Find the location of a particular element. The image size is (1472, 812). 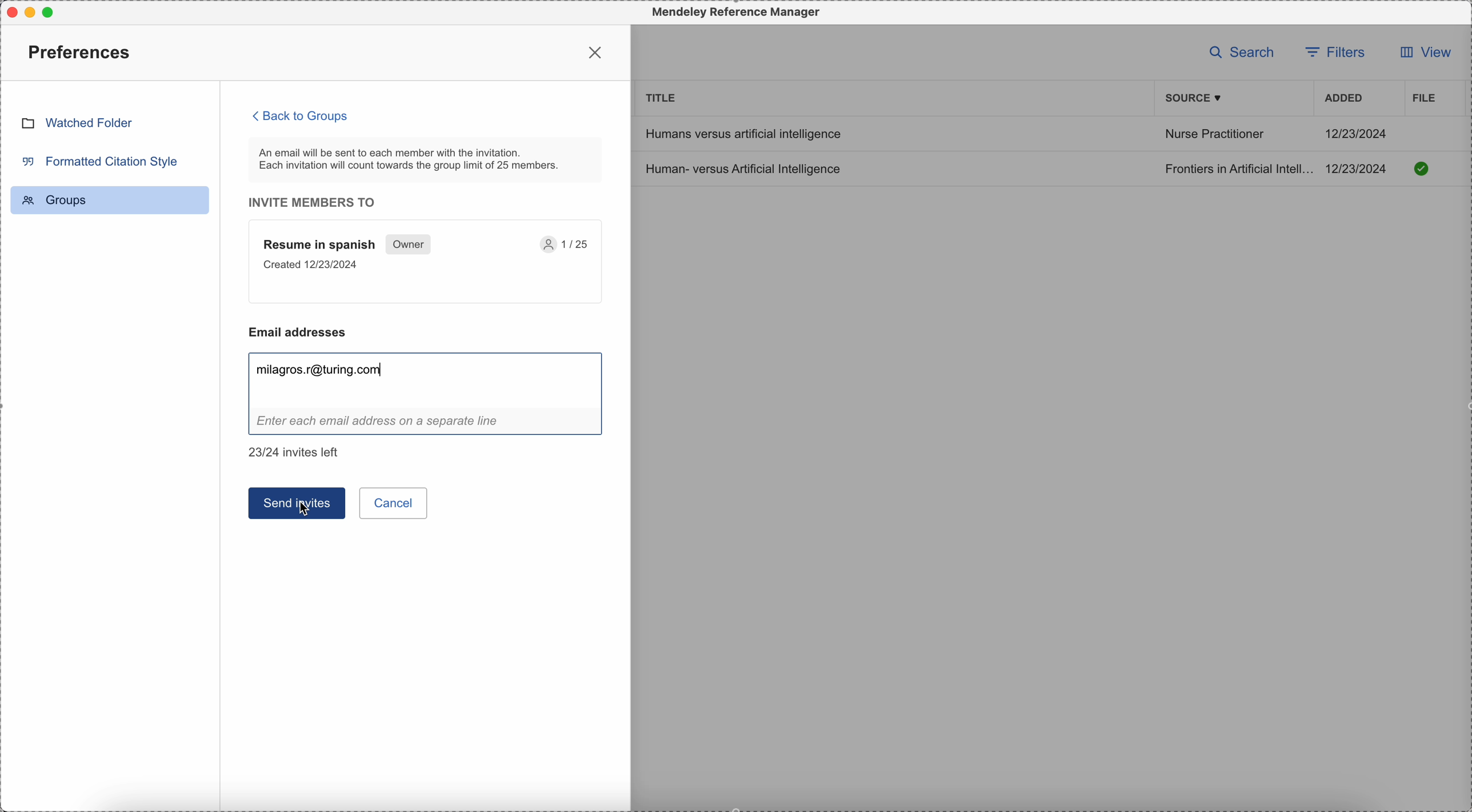

maximize is located at coordinates (53, 11).